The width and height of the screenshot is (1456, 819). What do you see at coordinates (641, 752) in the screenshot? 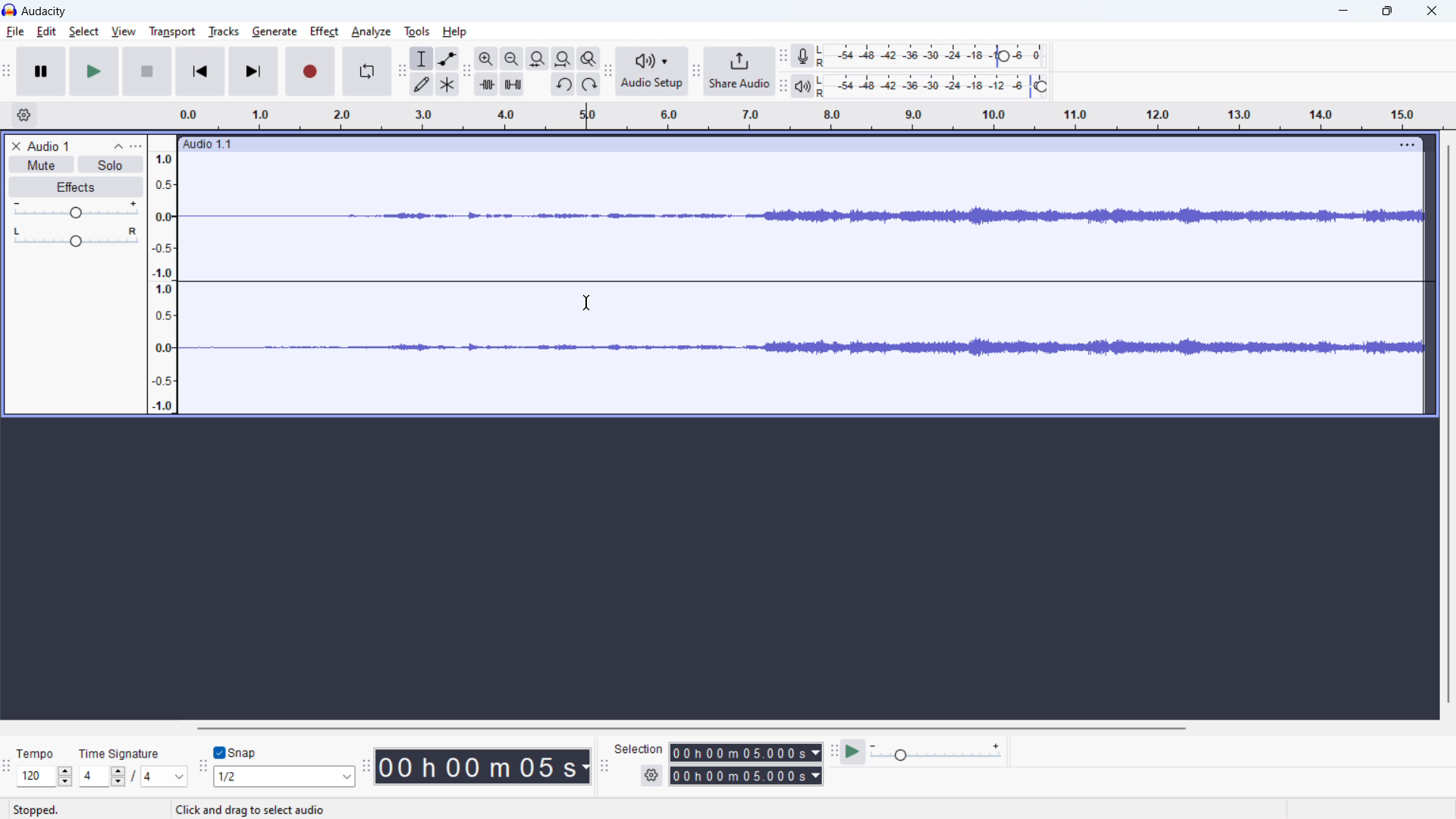
I see `Seledon` at bounding box center [641, 752].